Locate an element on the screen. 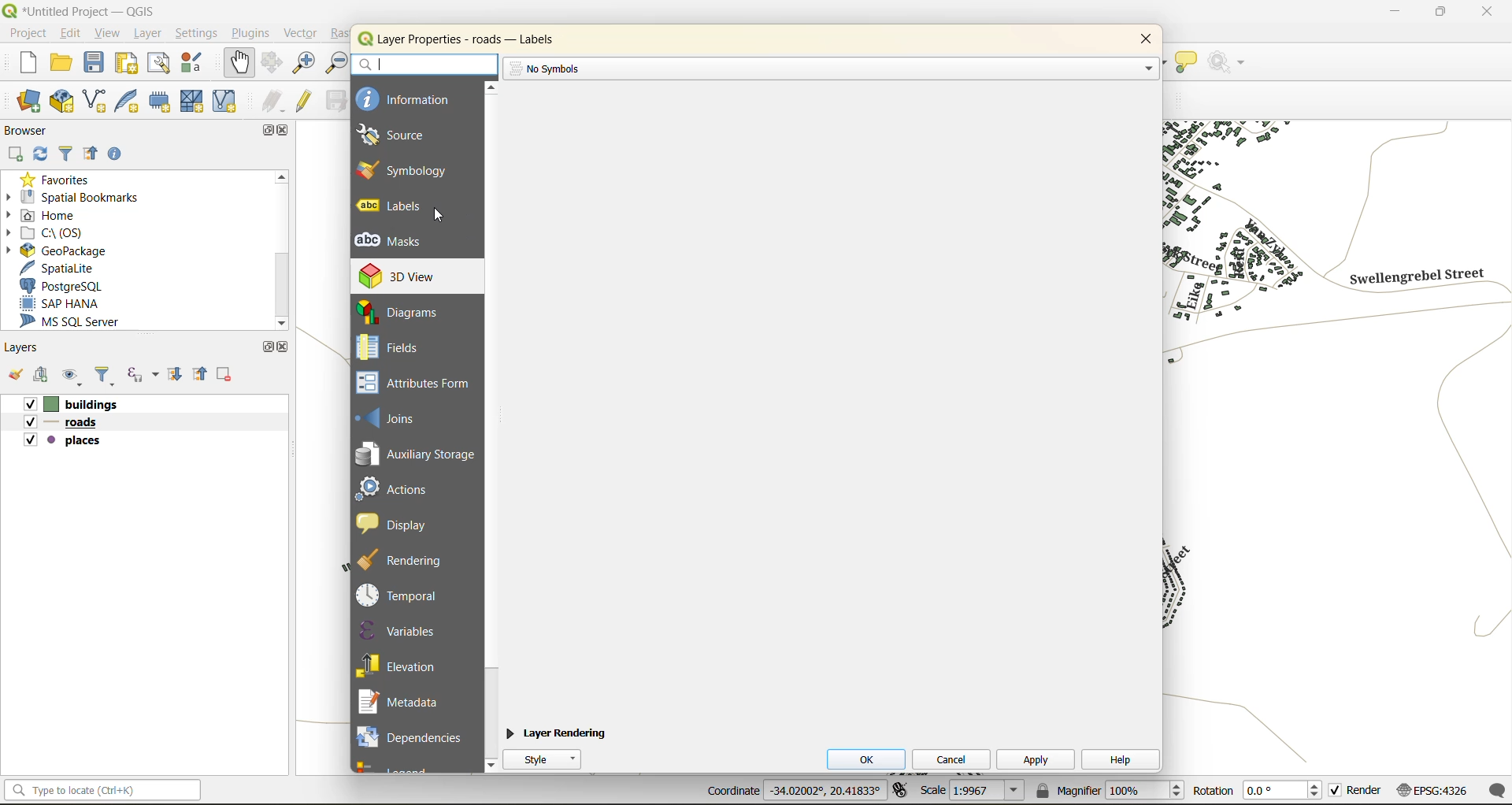 This screenshot has width=1512, height=805. cancel is located at coordinates (959, 760).